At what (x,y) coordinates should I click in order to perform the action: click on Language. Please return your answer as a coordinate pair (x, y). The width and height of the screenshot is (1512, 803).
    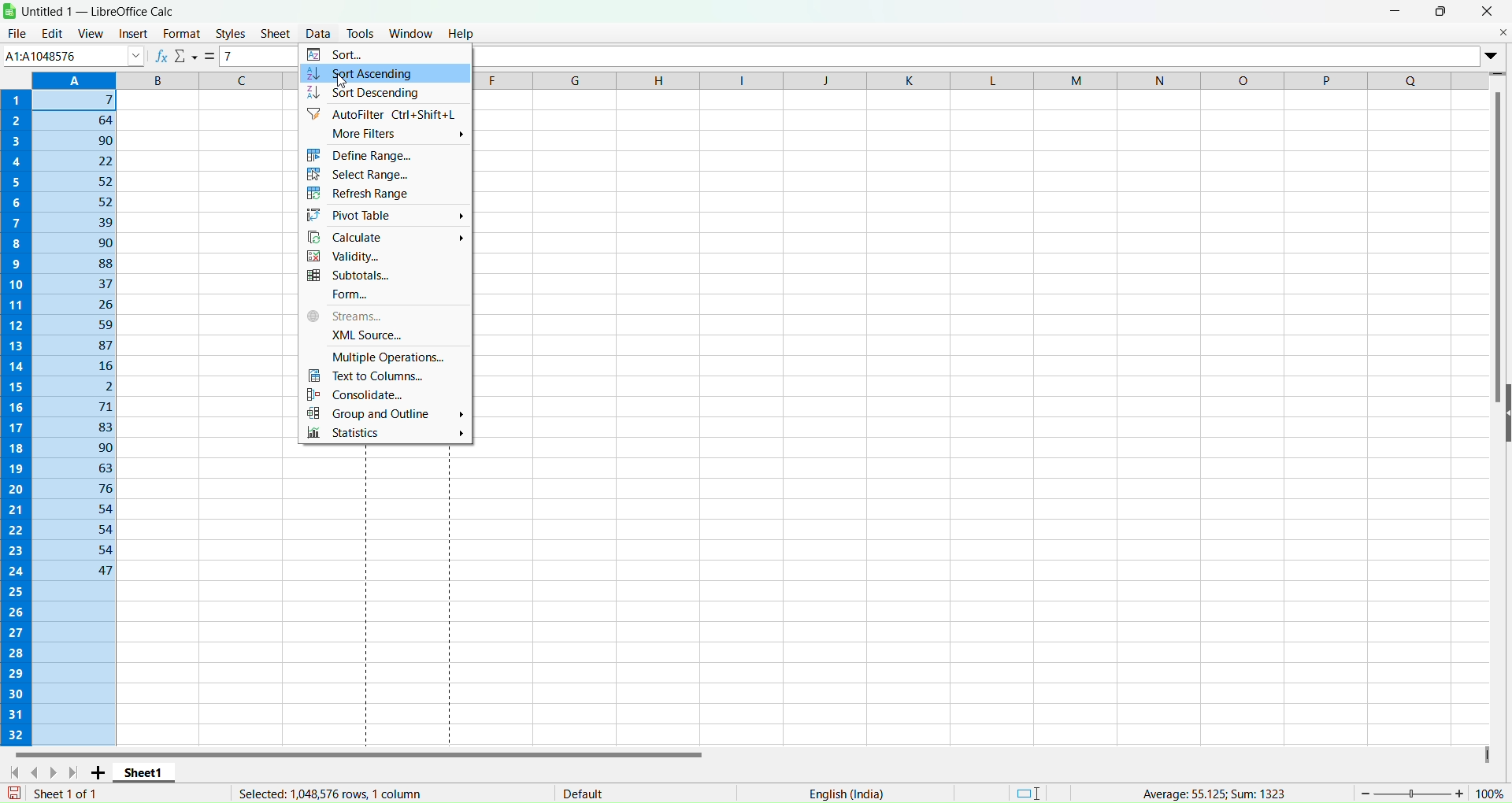
    Looking at the image, I should click on (846, 794).